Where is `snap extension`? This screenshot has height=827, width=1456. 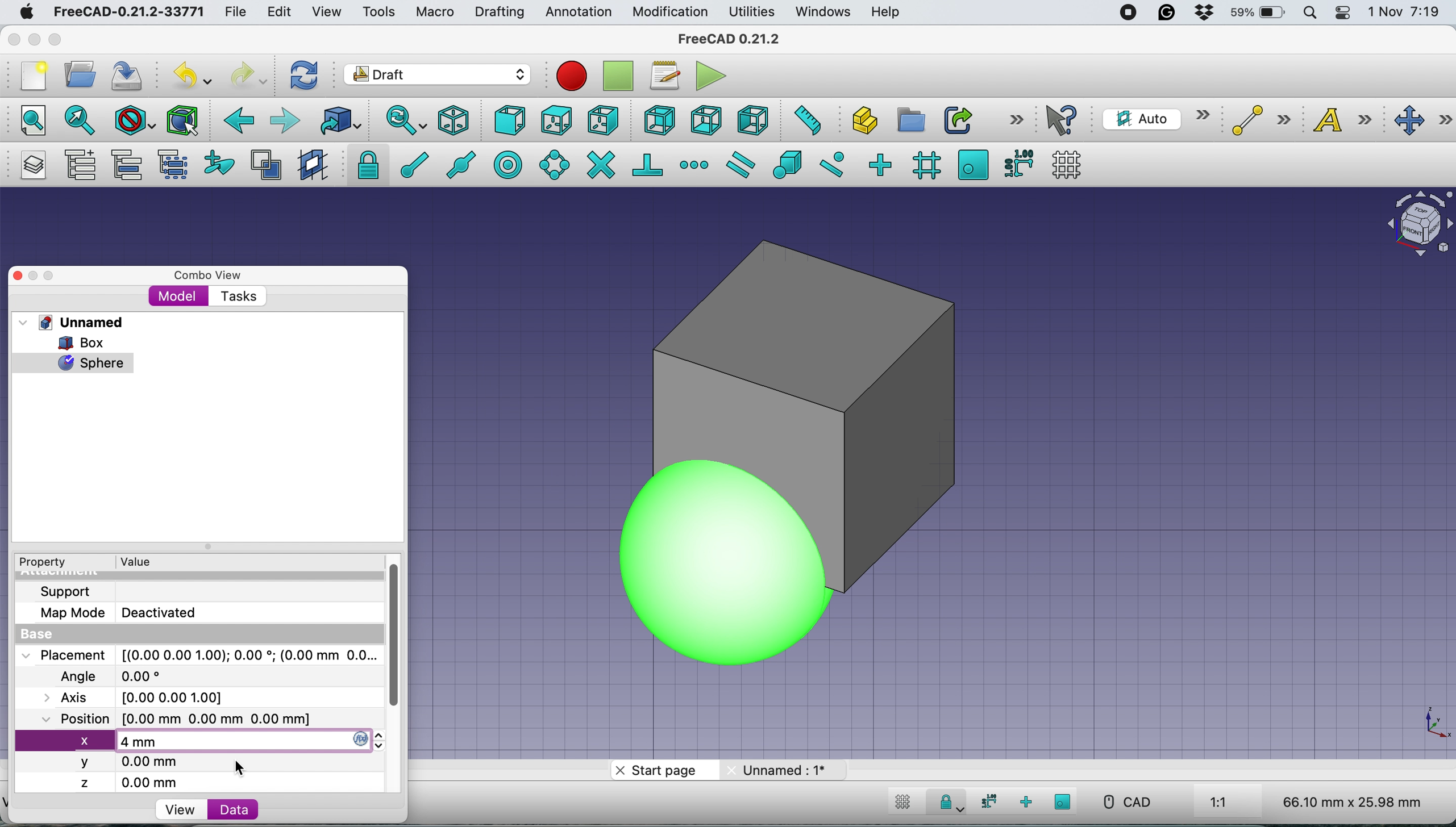 snap extension is located at coordinates (696, 165).